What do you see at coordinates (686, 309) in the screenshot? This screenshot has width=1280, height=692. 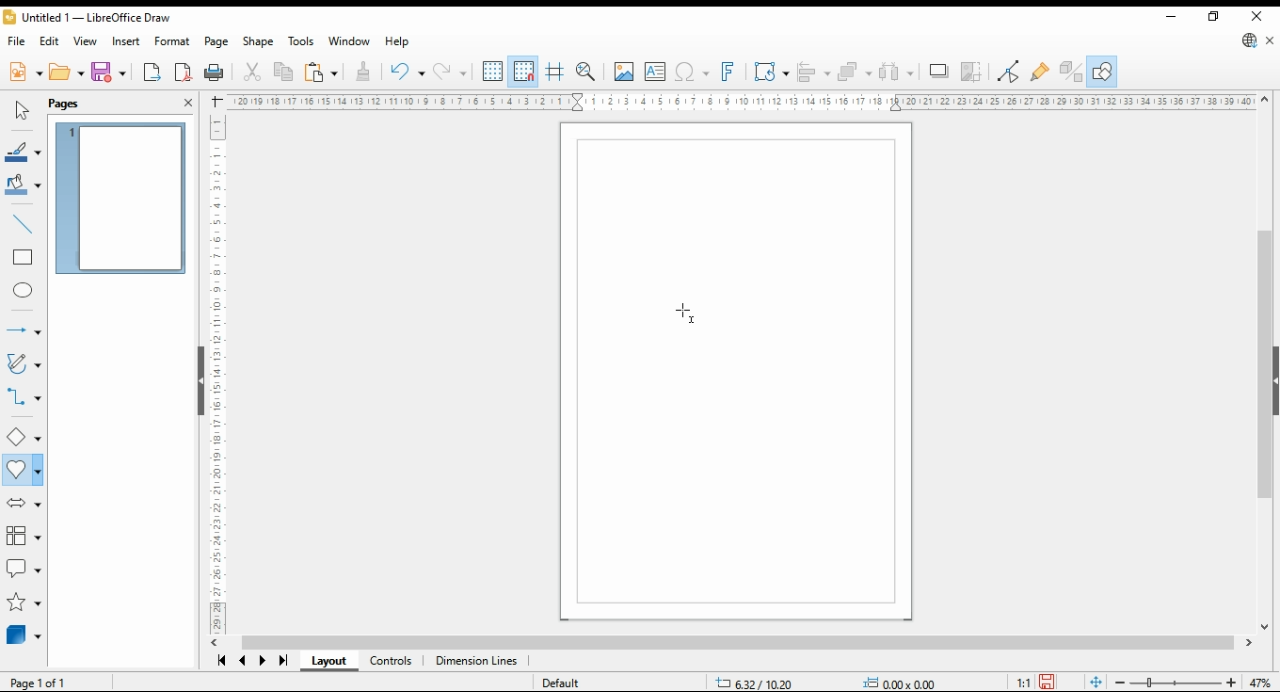 I see `mouse pointer` at bounding box center [686, 309].